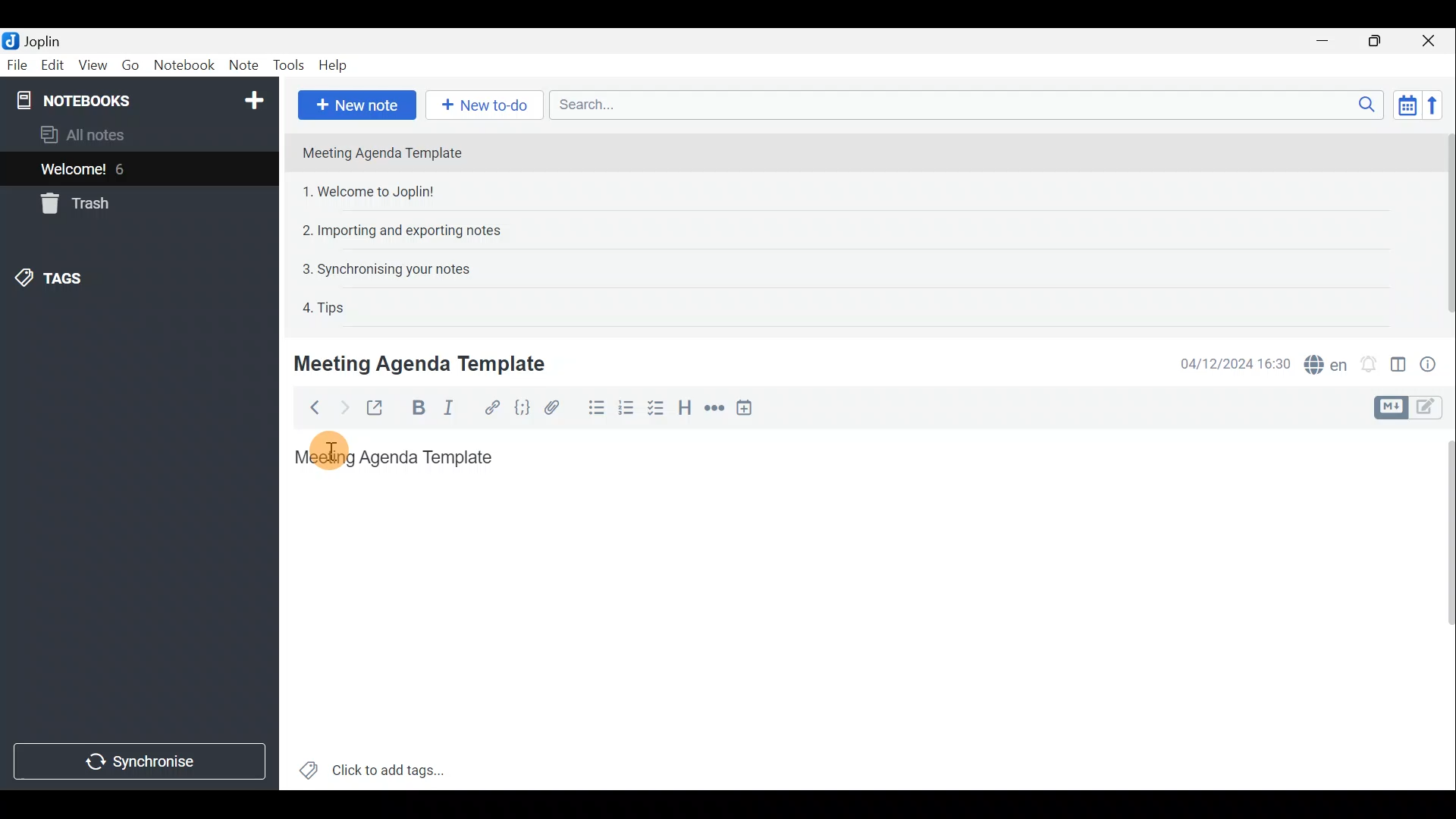  I want to click on Synchronise, so click(140, 761).